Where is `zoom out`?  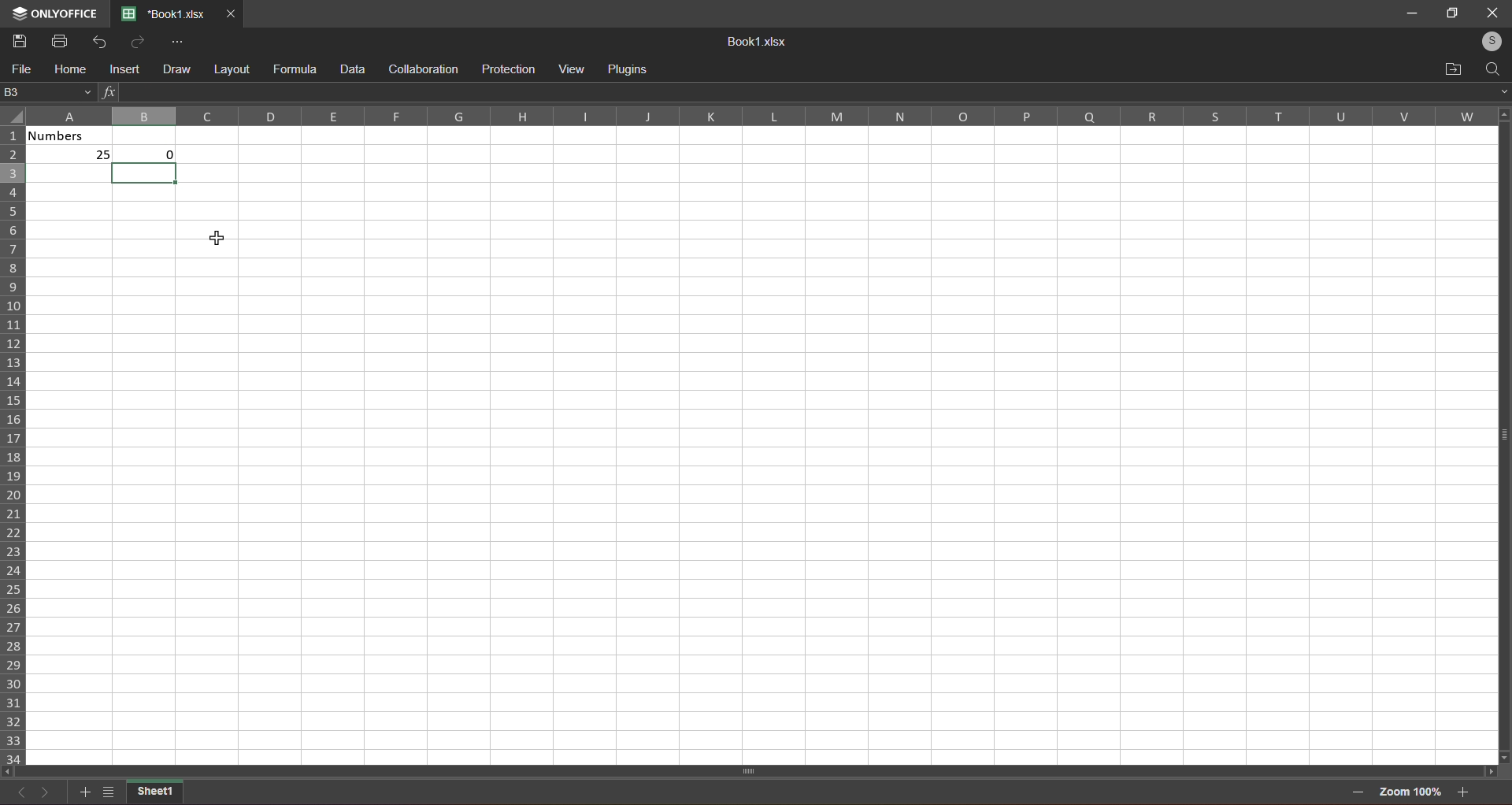 zoom out is located at coordinates (1357, 791).